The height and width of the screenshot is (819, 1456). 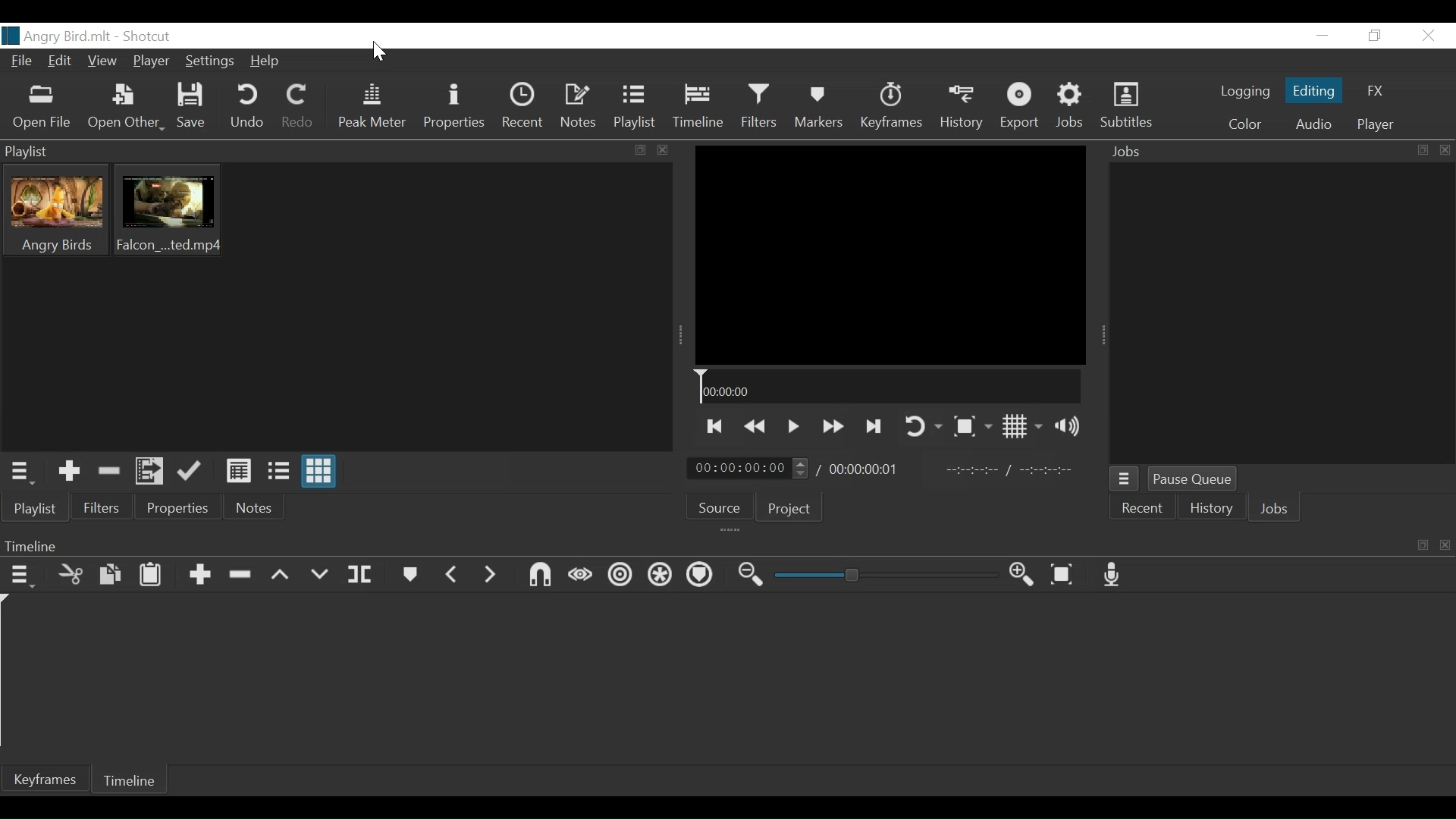 What do you see at coordinates (1373, 127) in the screenshot?
I see `Player` at bounding box center [1373, 127].